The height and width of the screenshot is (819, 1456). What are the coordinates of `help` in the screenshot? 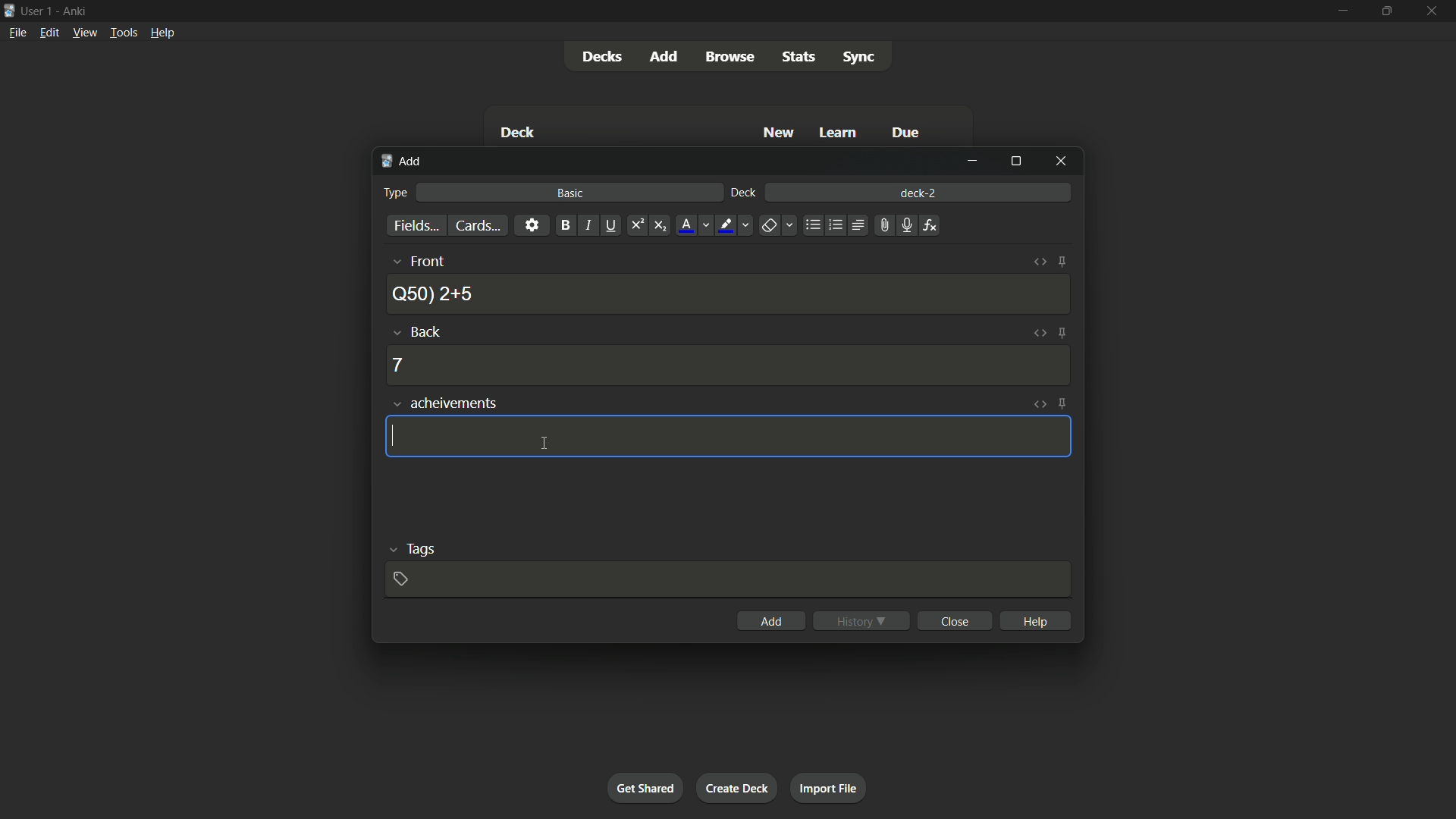 It's located at (1034, 620).